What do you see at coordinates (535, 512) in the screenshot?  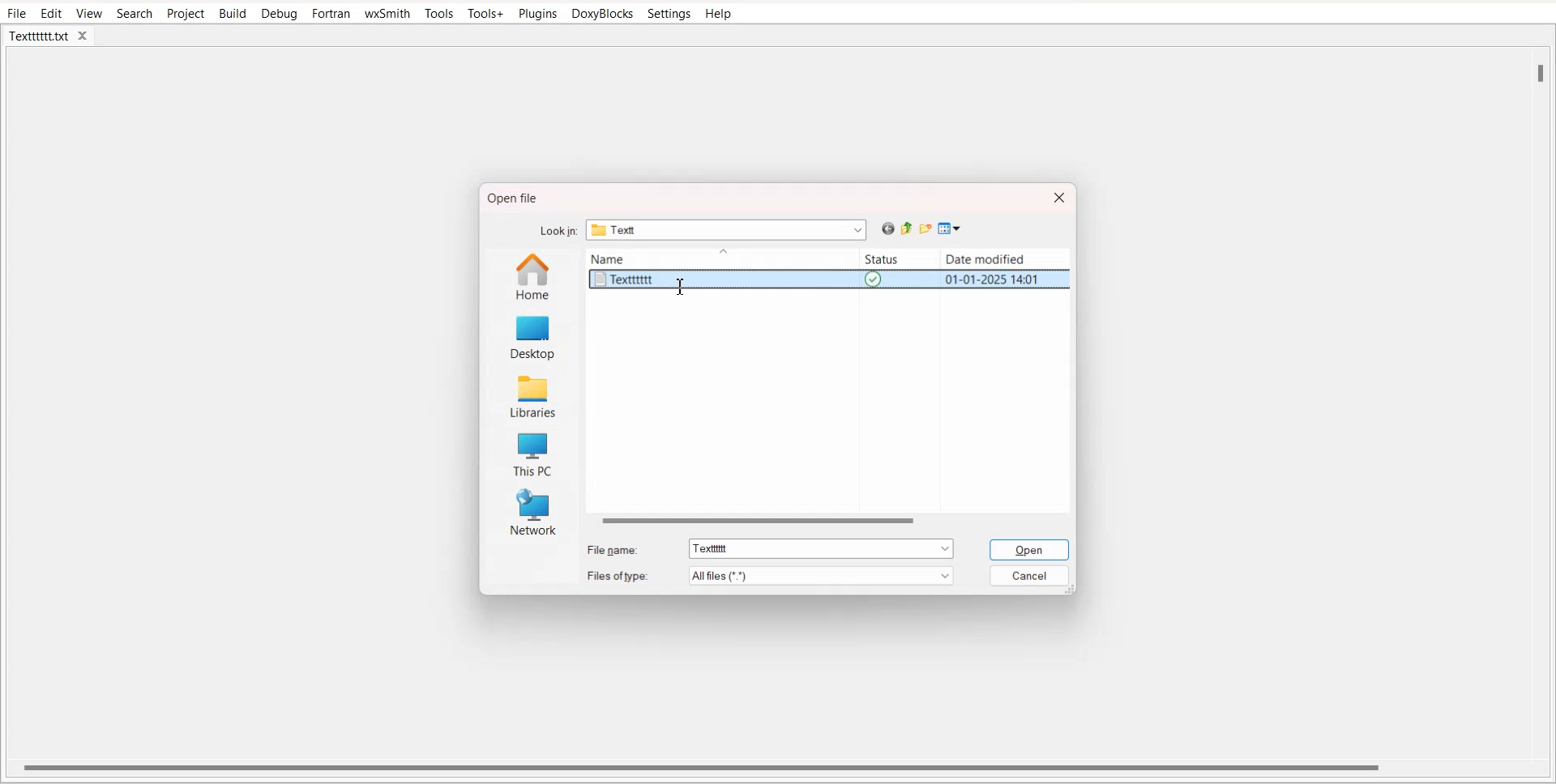 I see `Network` at bounding box center [535, 512].